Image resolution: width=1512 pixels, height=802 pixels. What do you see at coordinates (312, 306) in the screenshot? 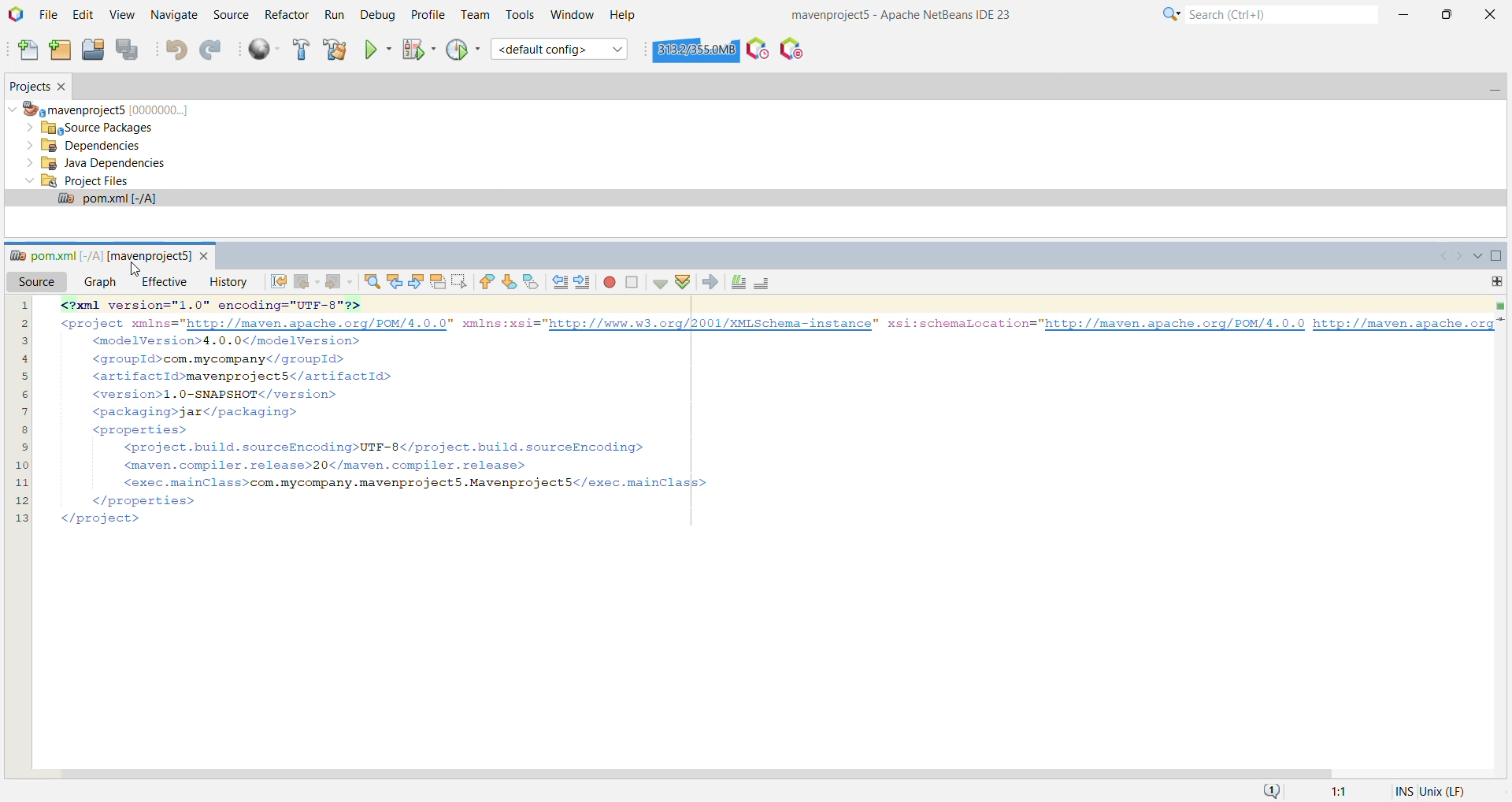
I see `<?xml version="1.0" encoding="UTF-8"?>` at bounding box center [312, 306].